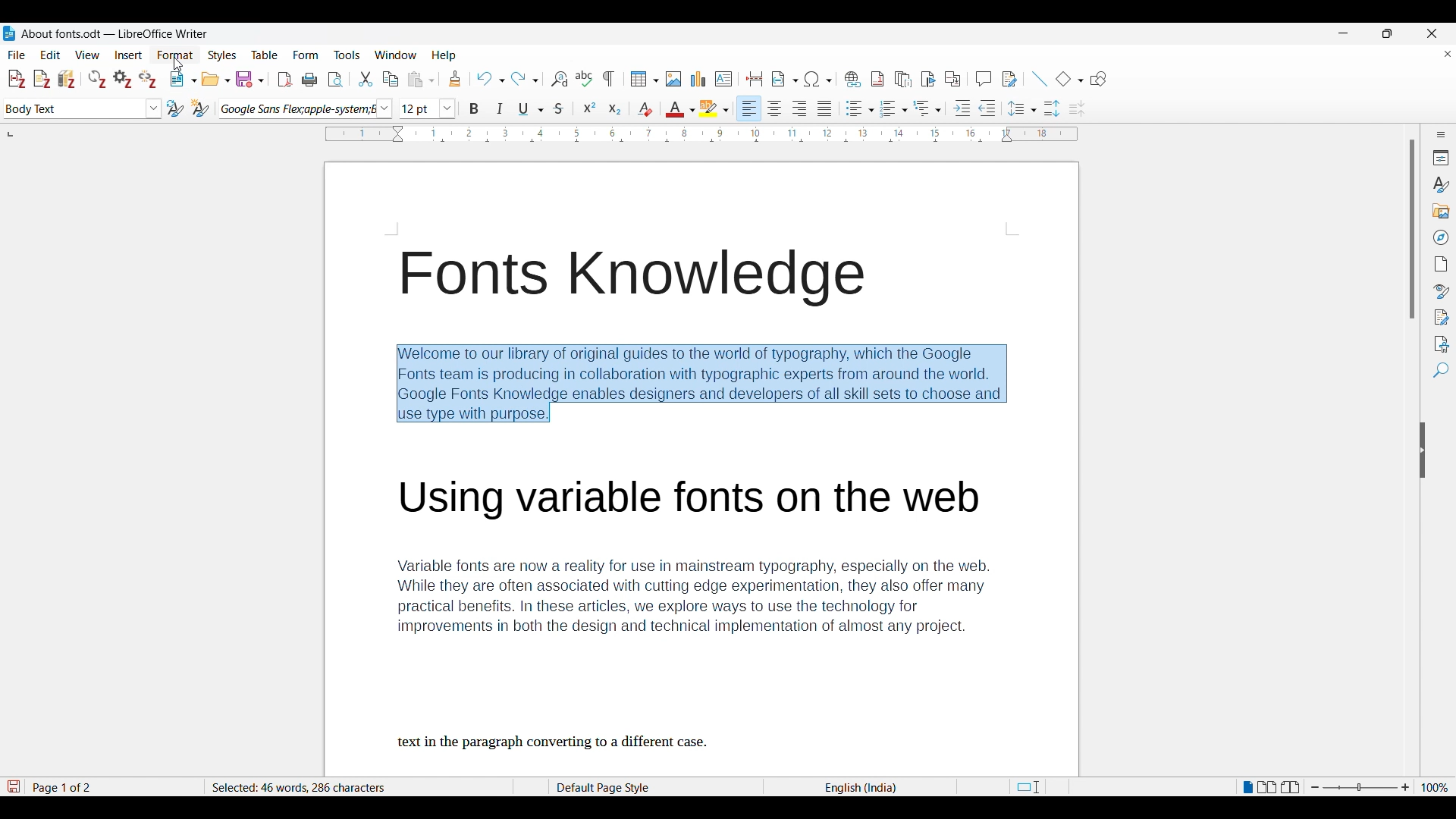  I want to click on Show draw functions, so click(1098, 79).